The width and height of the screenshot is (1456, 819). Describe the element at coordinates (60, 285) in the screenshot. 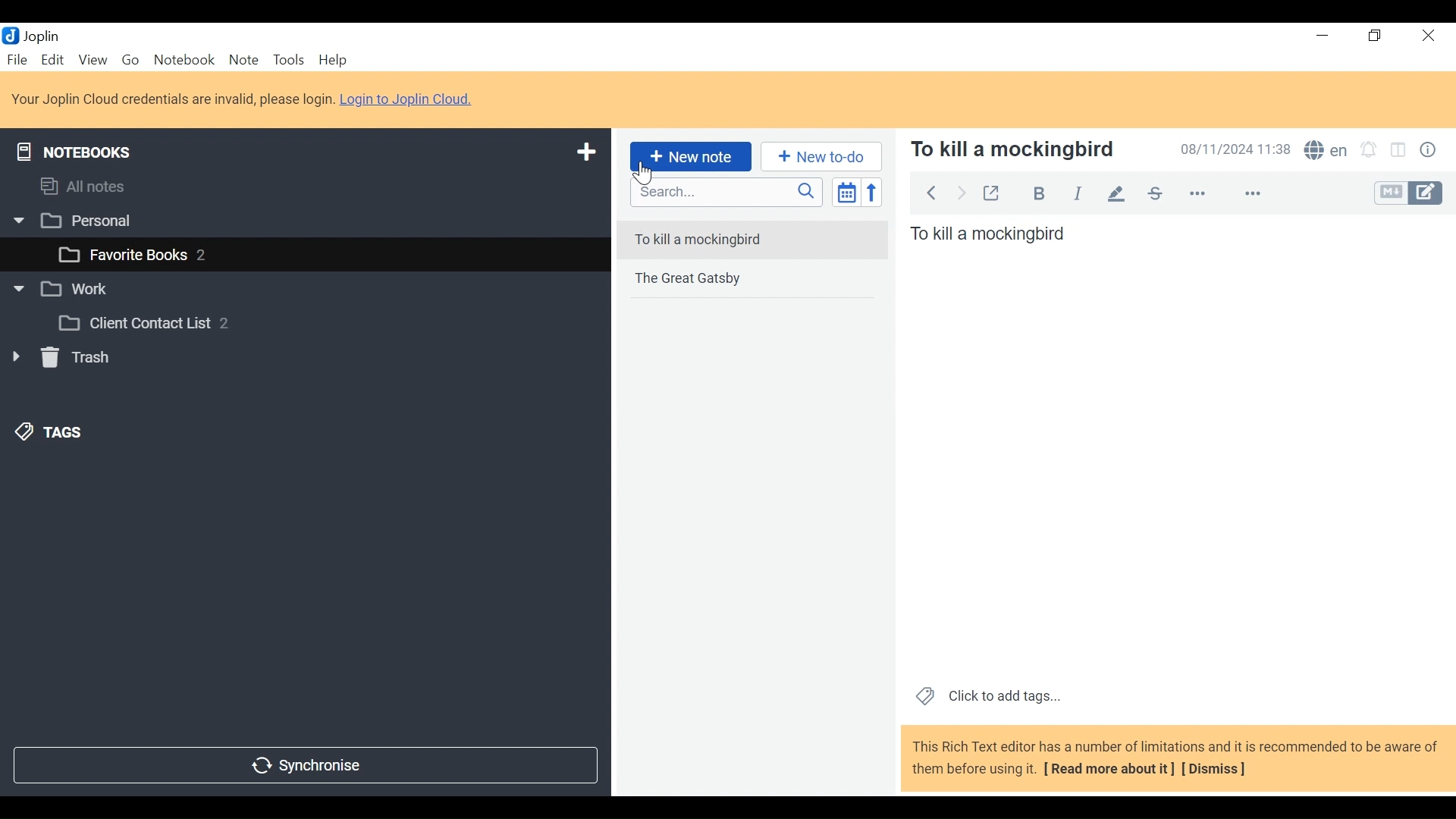

I see ` Work` at that location.